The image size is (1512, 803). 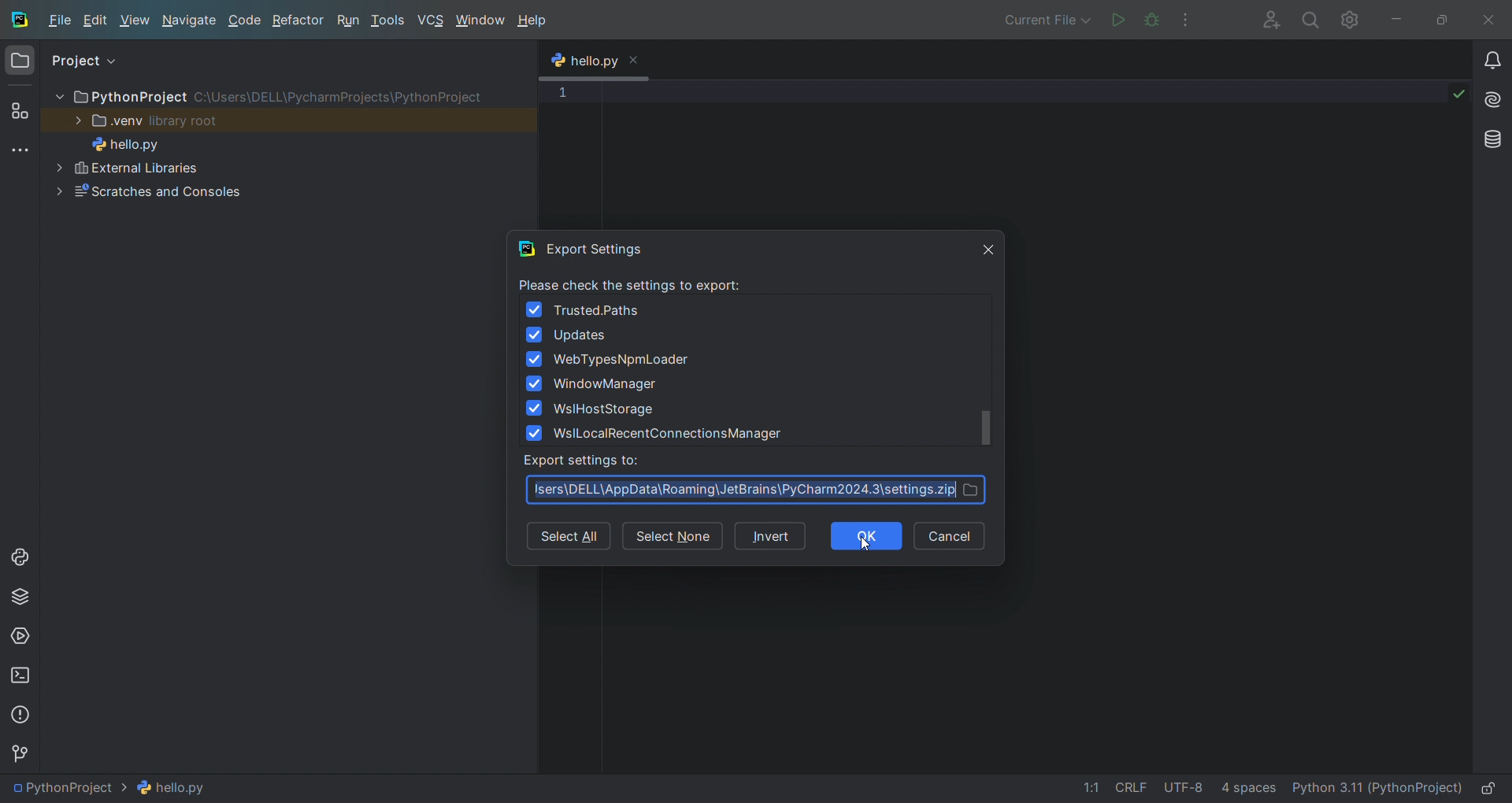 I want to click on ok, so click(x=867, y=535).